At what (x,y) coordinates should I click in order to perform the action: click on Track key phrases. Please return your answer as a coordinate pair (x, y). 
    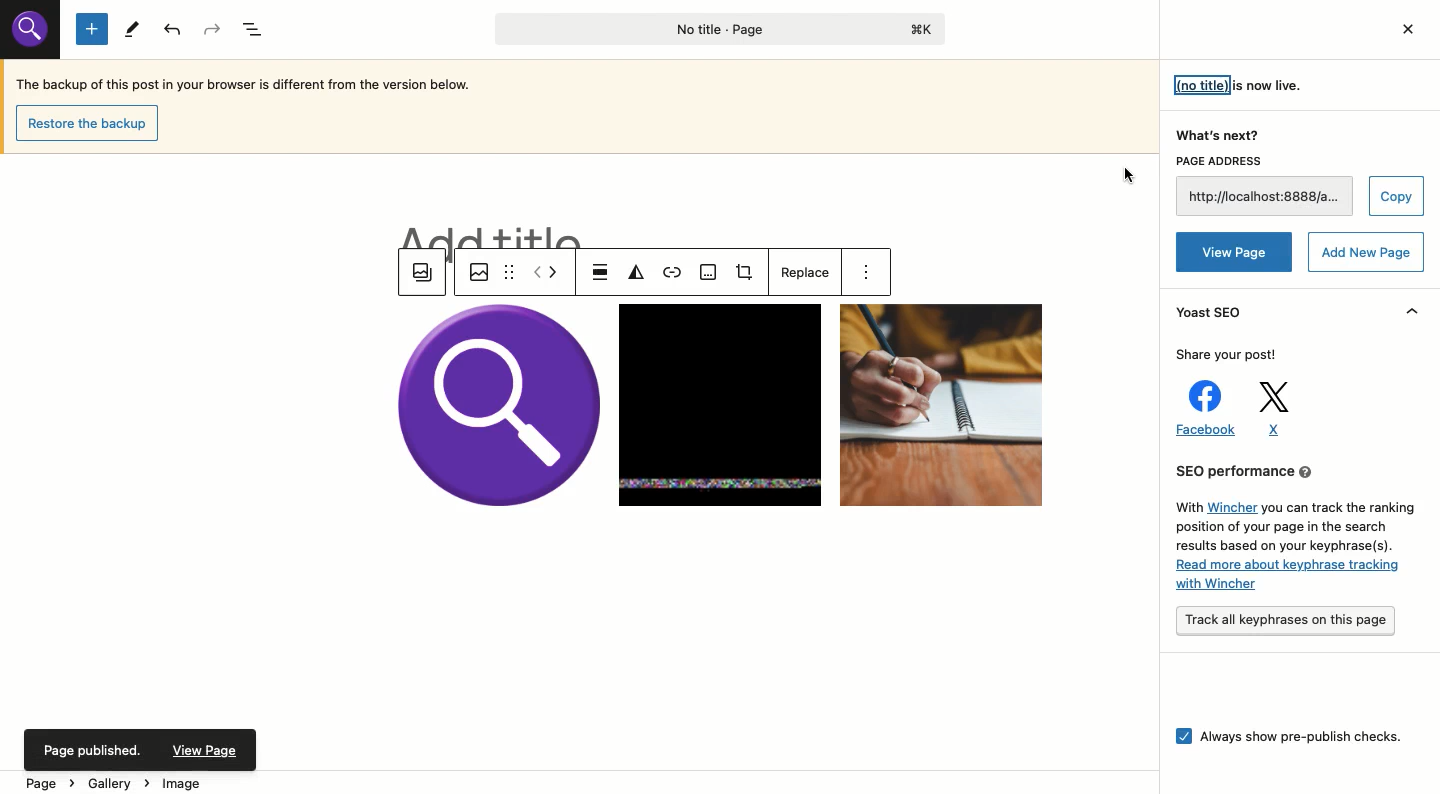
    Looking at the image, I should click on (1289, 621).